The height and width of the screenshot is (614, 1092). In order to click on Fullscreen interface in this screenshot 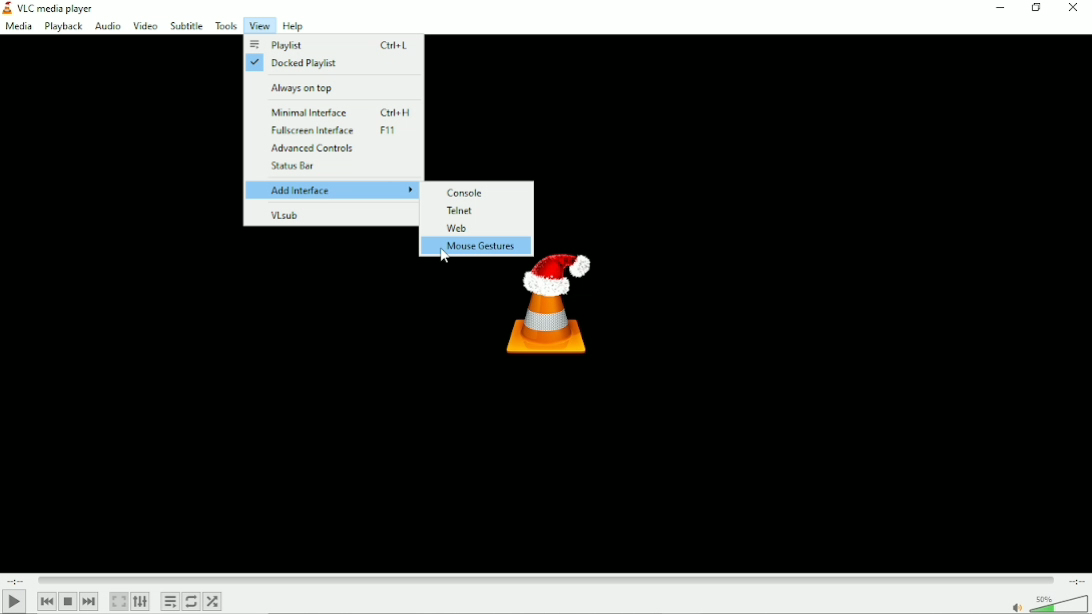, I will do `click(334, 131)`.